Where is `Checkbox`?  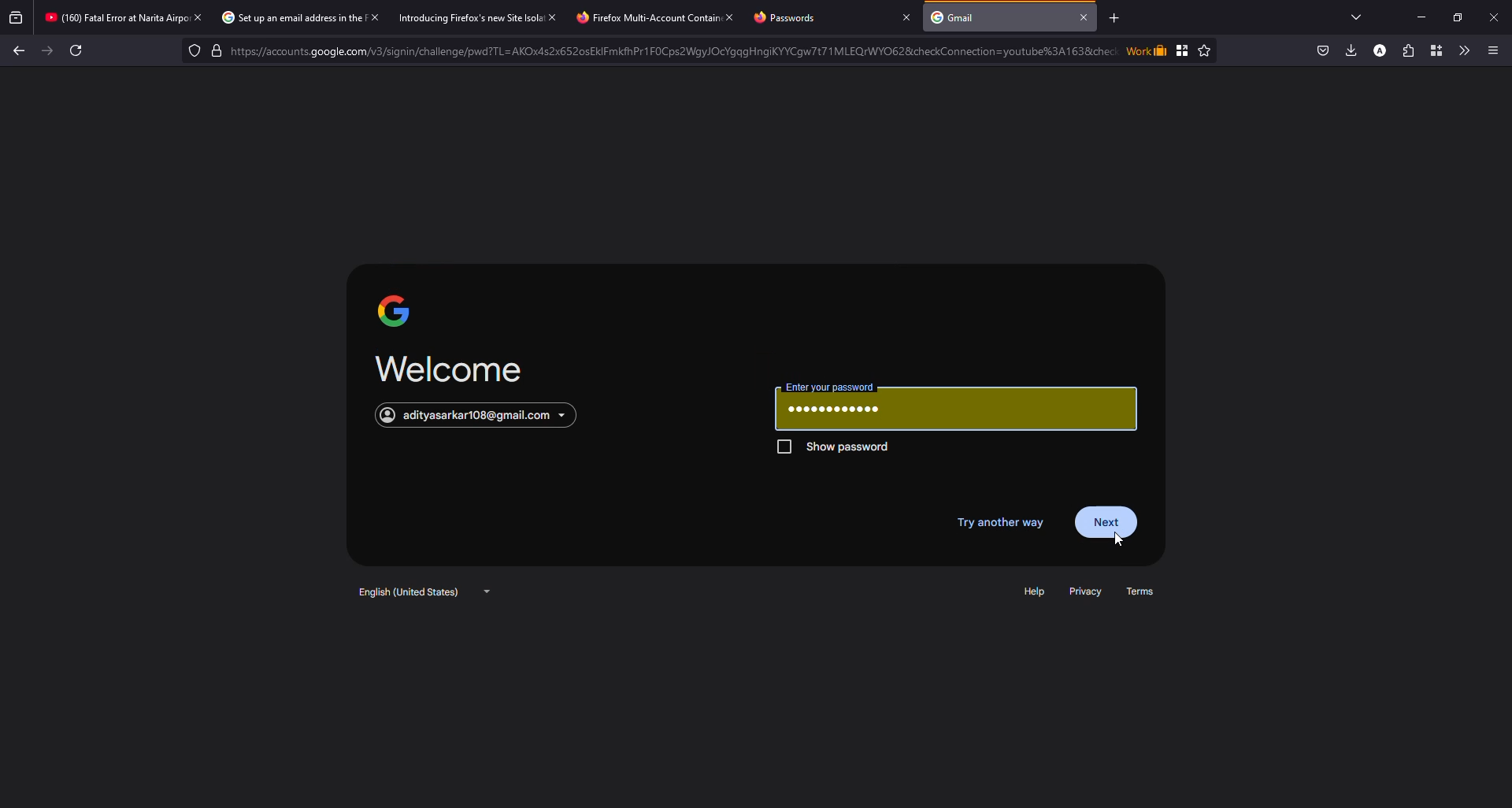 Checkbox is located at coordinates (780, 450).